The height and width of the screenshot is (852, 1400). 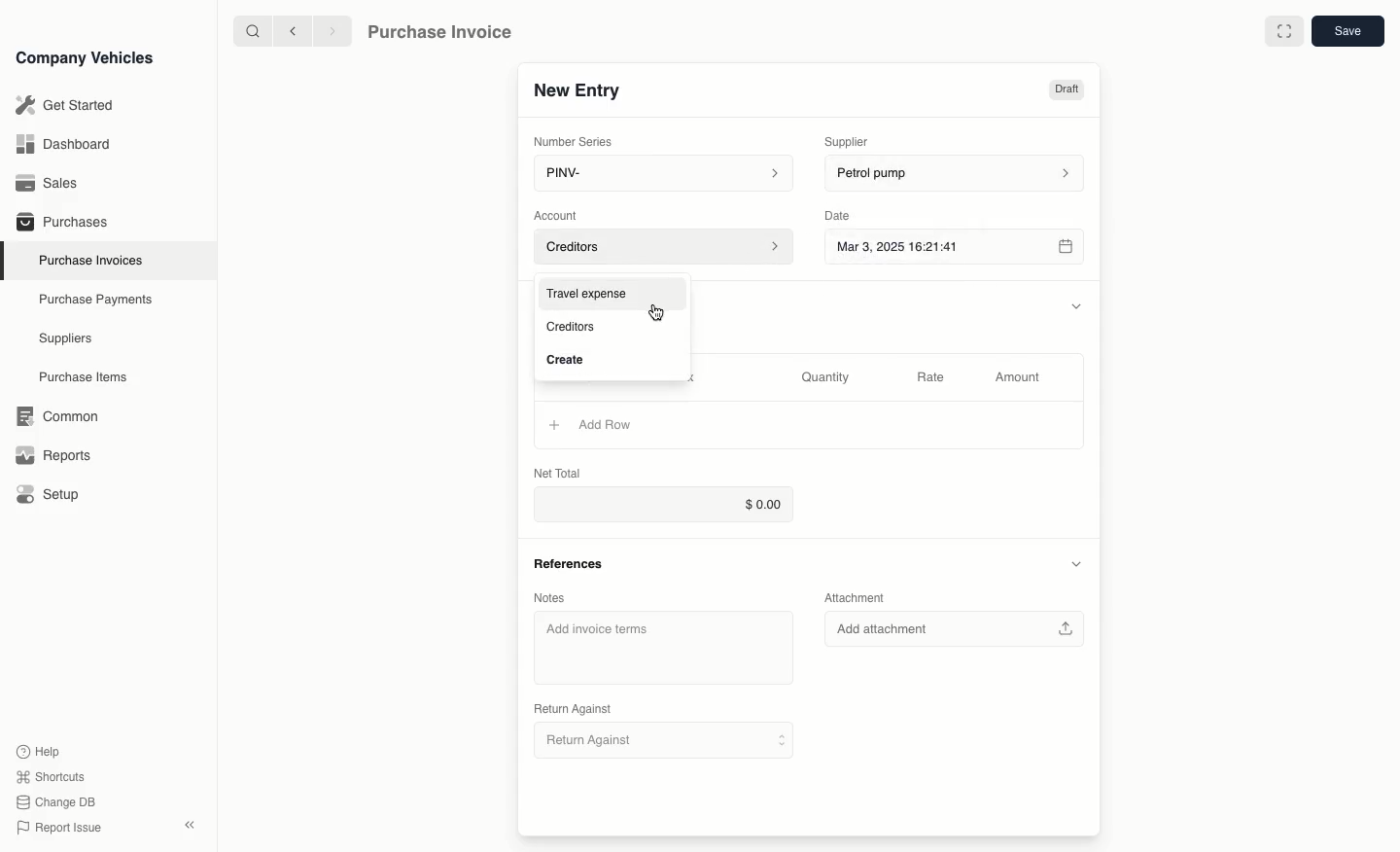 I want to click on cursor, so click(x=657, y=314).